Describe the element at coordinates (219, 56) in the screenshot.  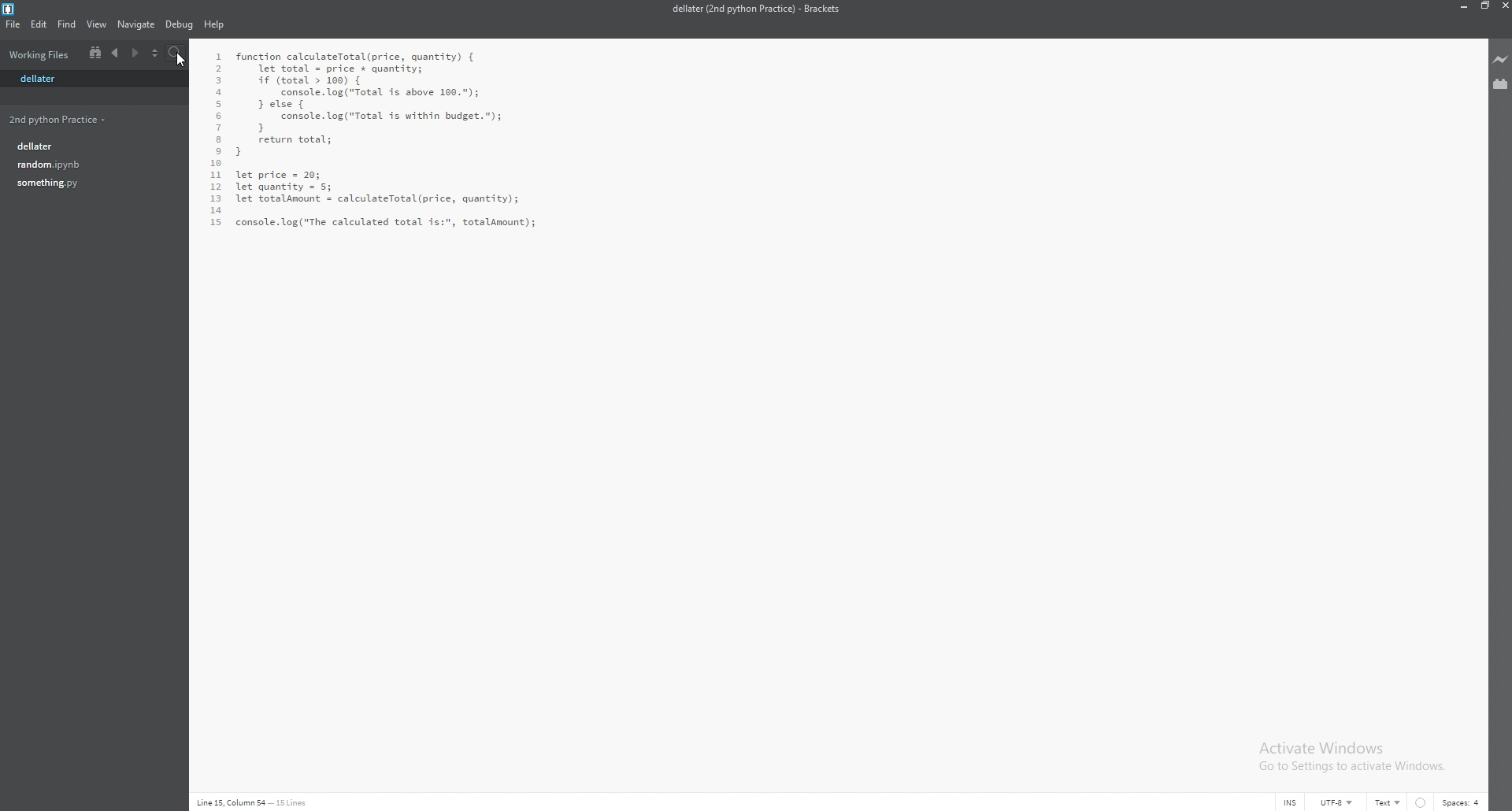
I see `1` at that location.